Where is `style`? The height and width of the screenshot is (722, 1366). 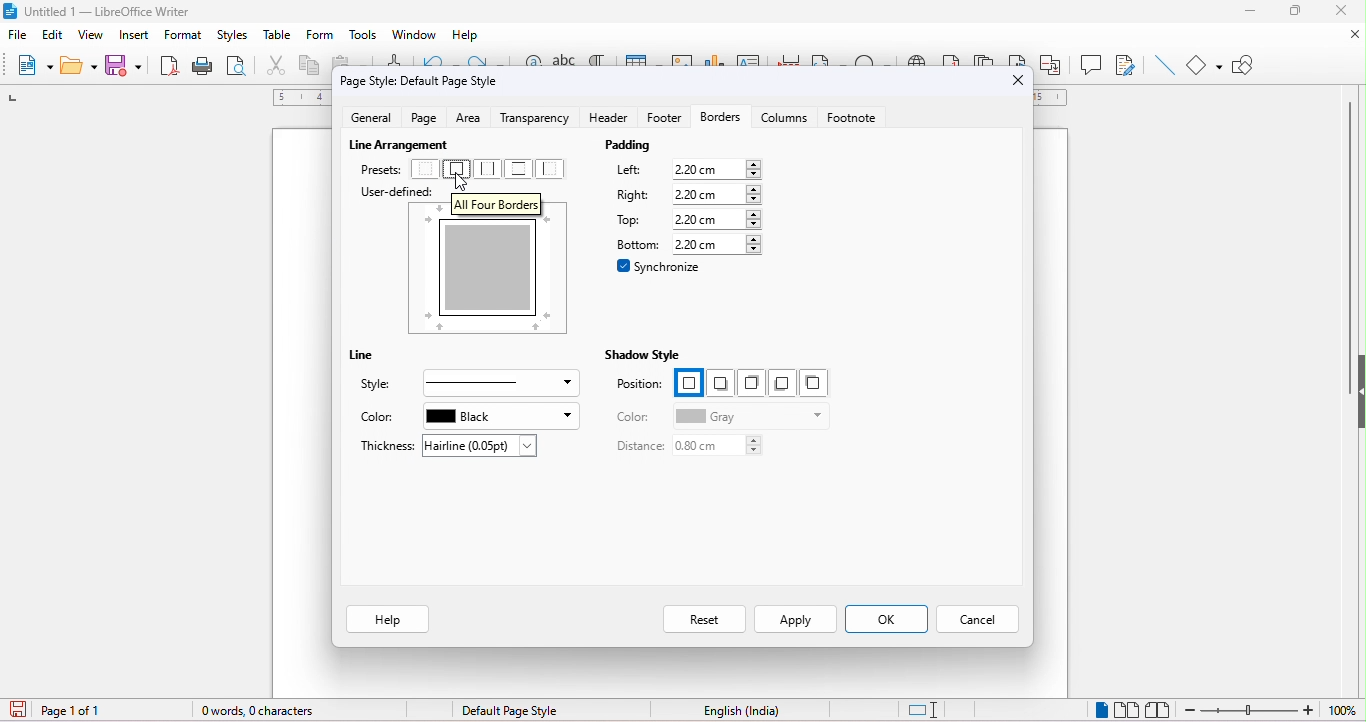 style is located at coordinates (380, 384).